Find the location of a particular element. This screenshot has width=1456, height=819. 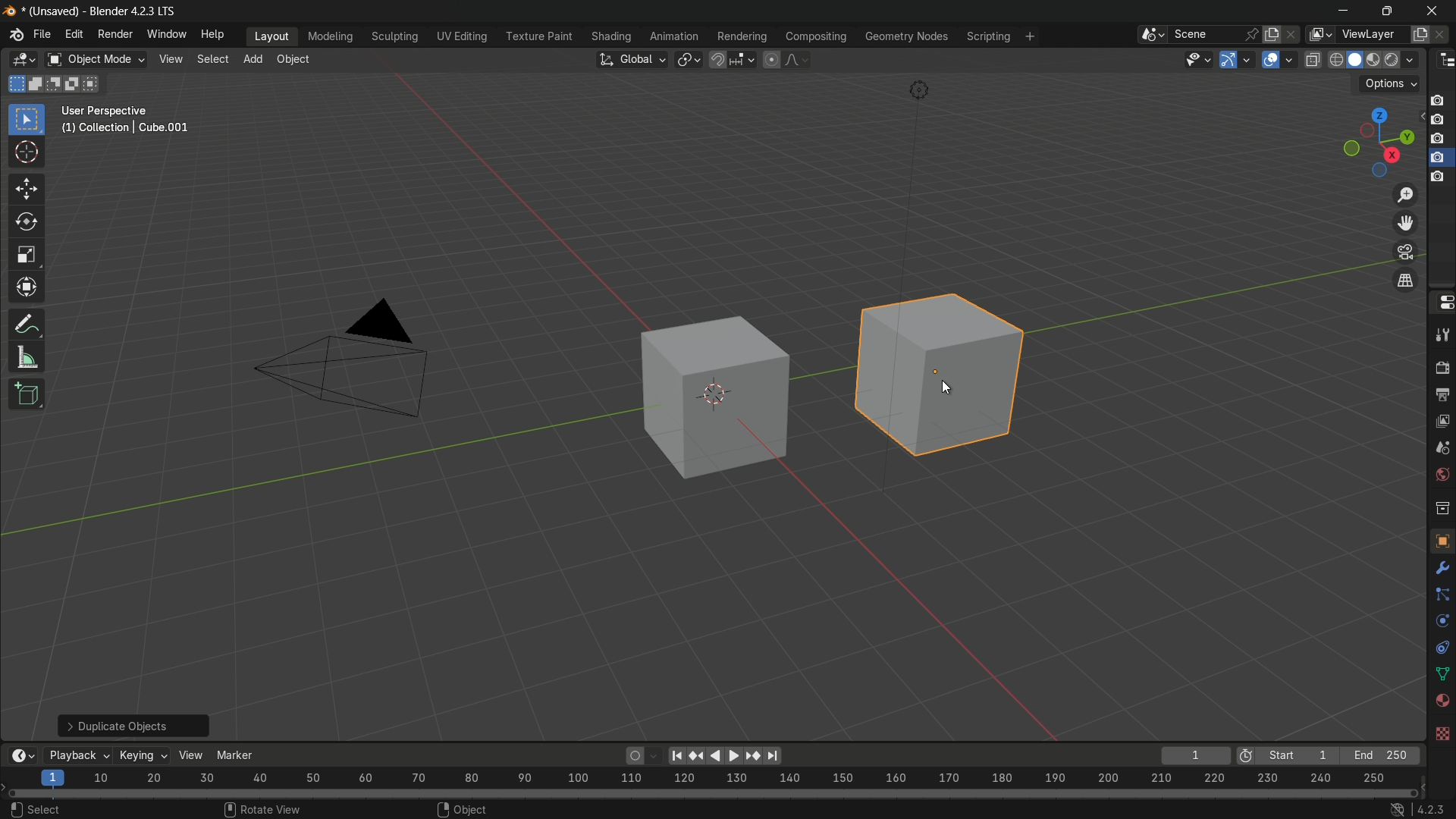

add view layer is located at coordinates (1421, 33).